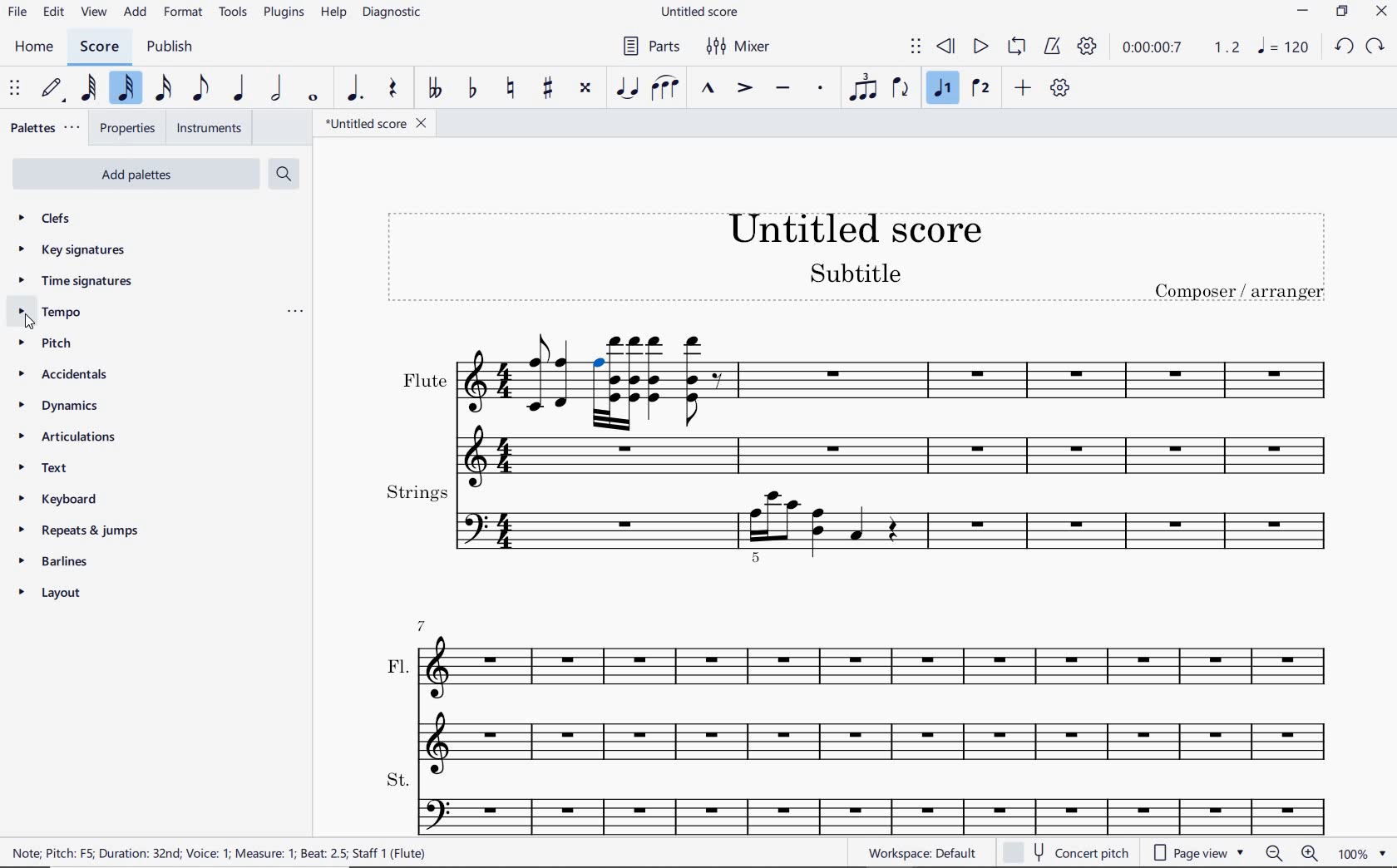  Describe the element at coordinates (916, 48) in the screenshot. I see `SELECT TO MOVE` at that location.